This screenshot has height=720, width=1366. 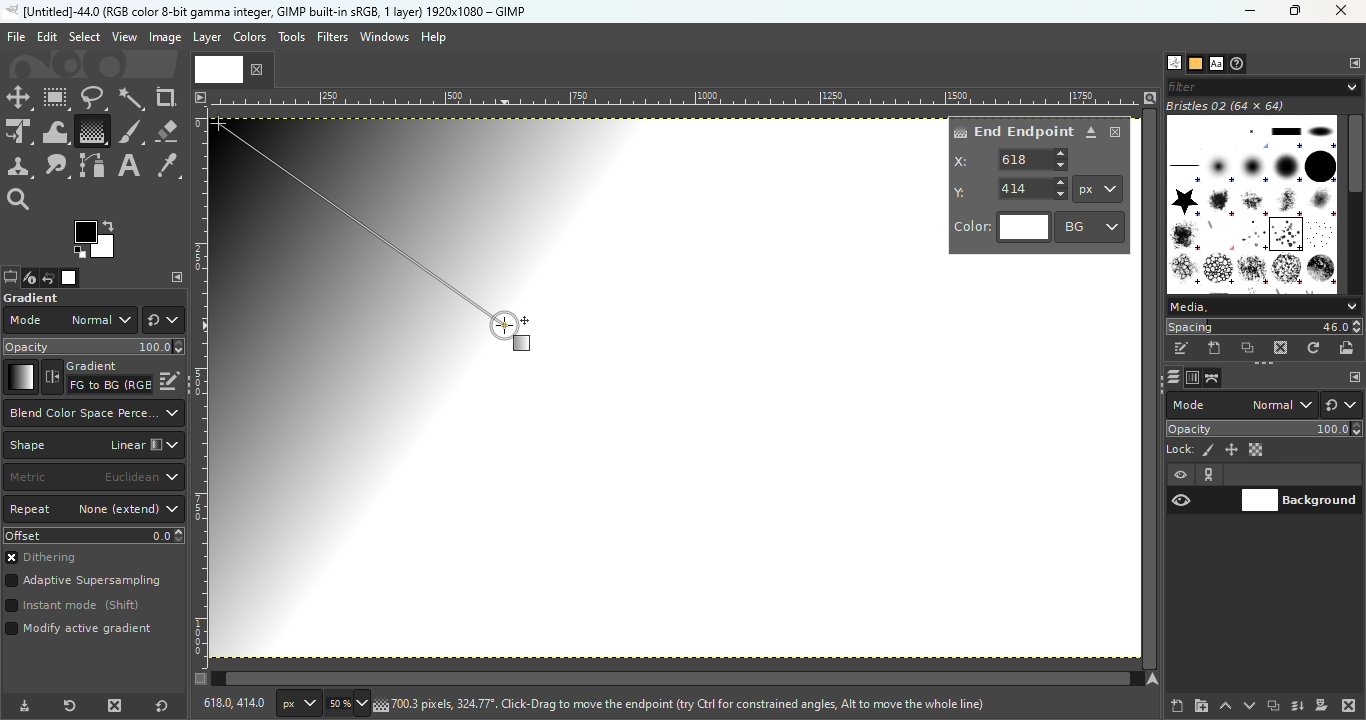 What do you see at coordinates (677, 97) in the screenshot?
I see `Ruler Measurement` at bounding box center [677, 97].